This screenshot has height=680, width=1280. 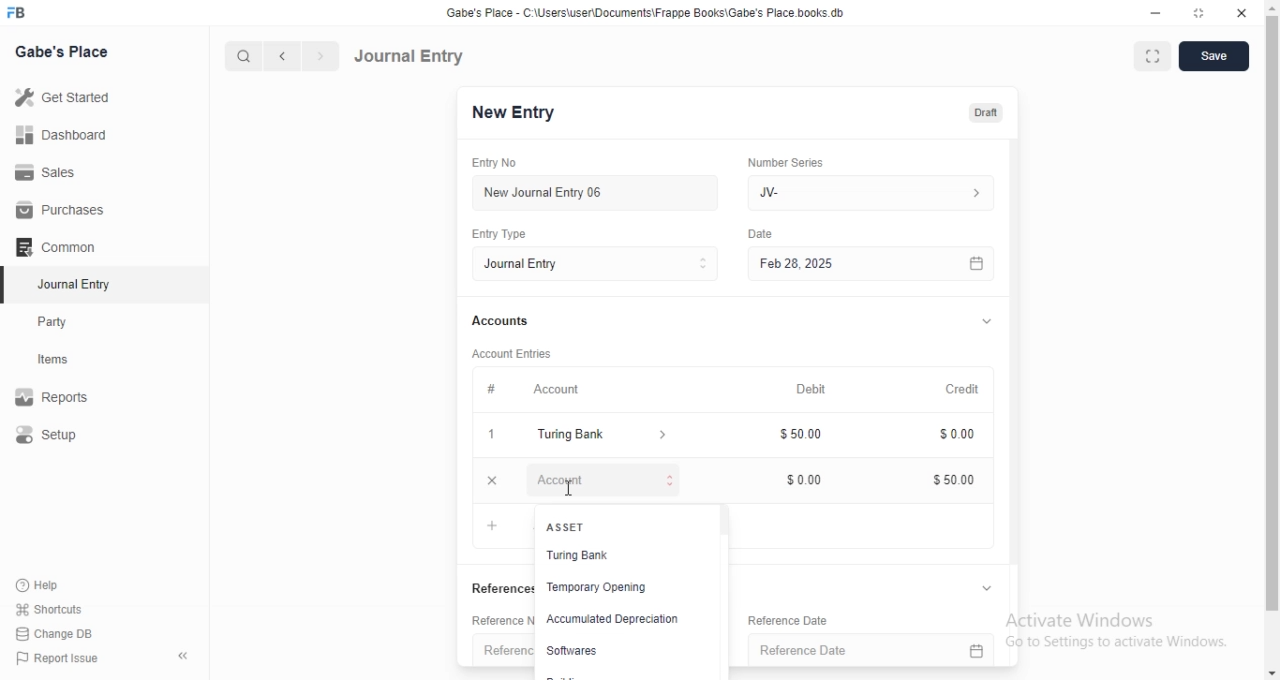 What do you see at coordinates (807, 620) in the screenshot?
I see `Reference Date` at bounding box center [807, 620].